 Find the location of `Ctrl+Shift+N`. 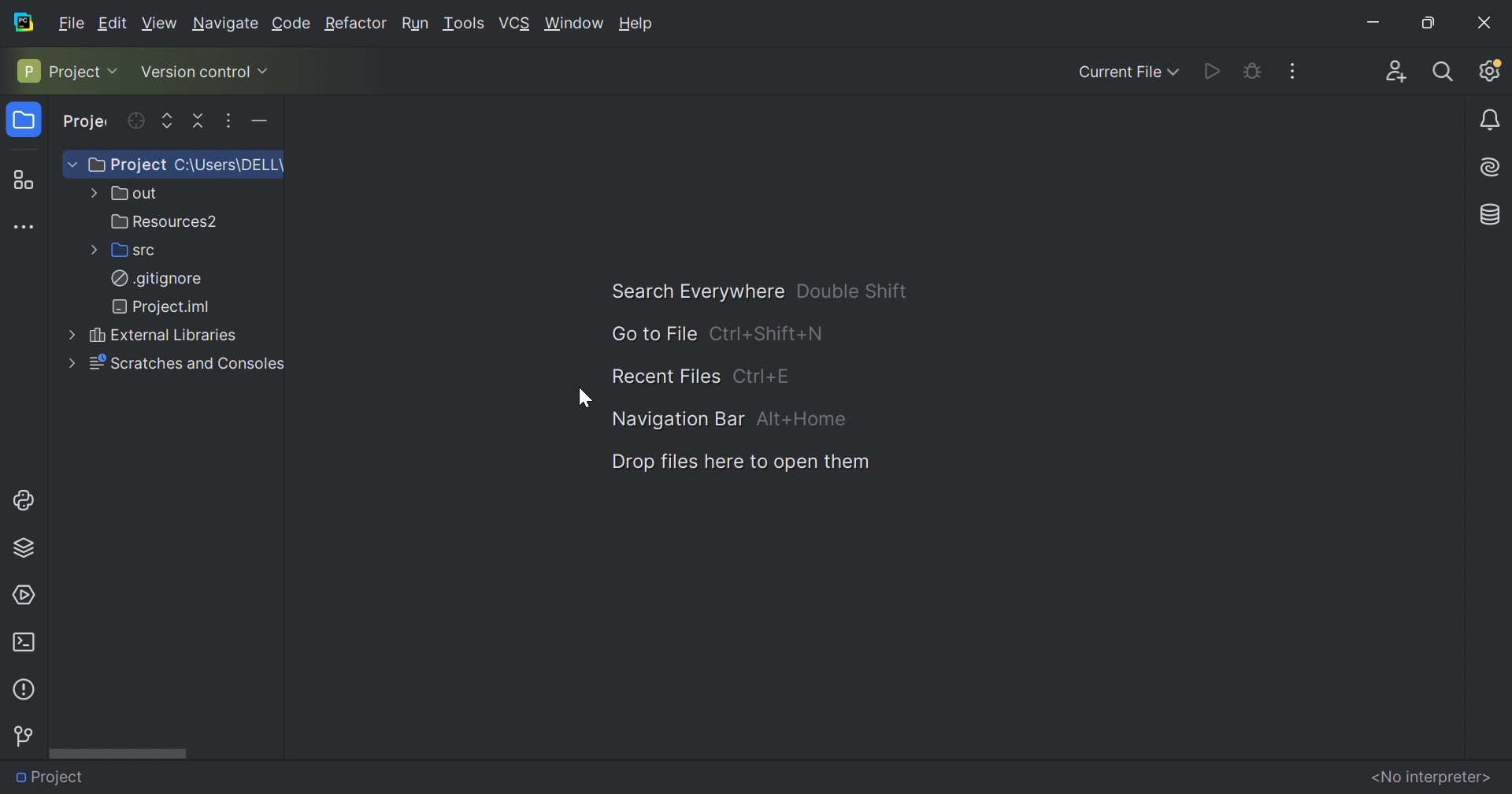

Ctrl+Shift+N is located at coordinates (771, 333).